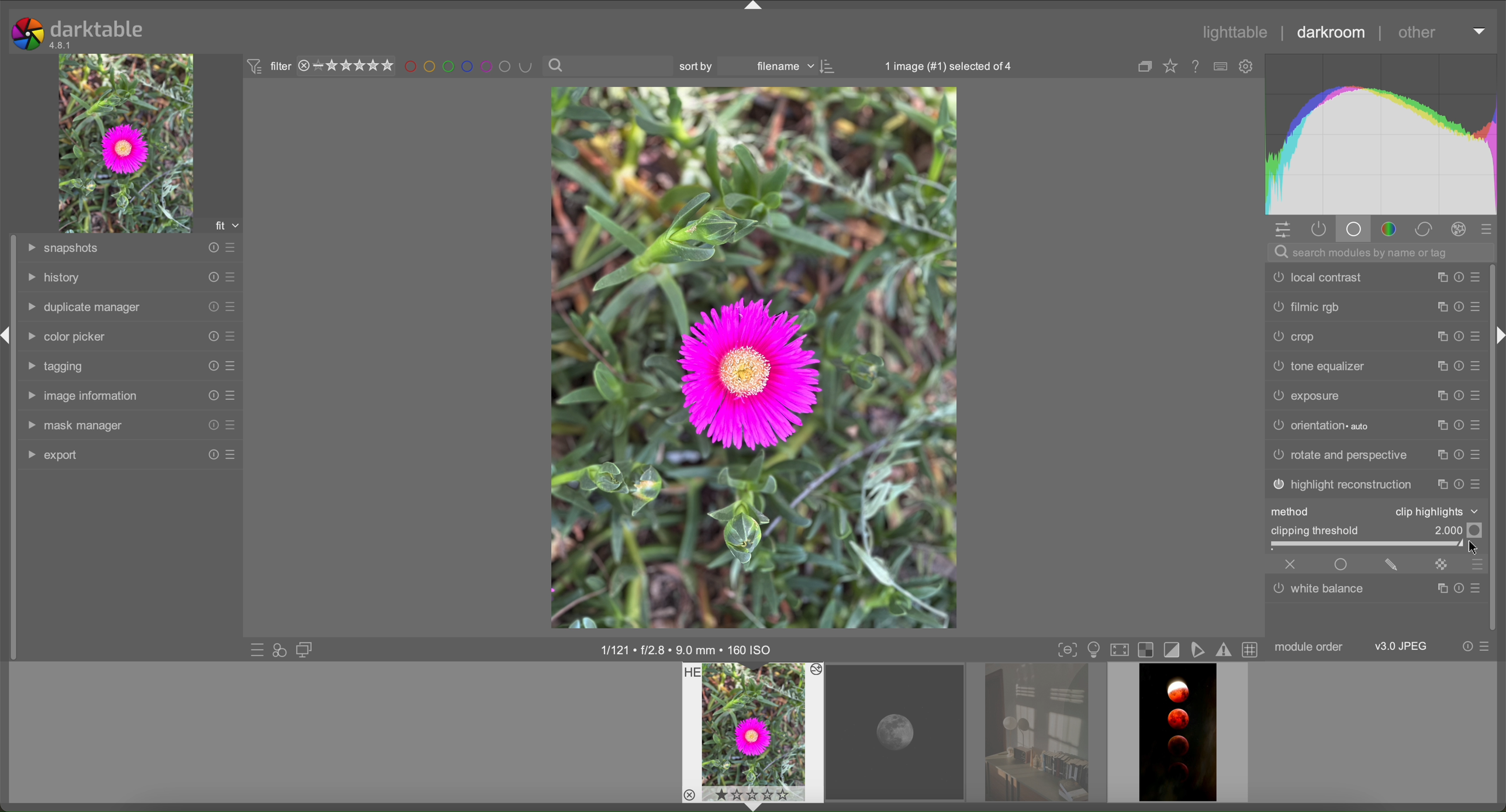 The image size is (1506, 812). Describe the element at coordinates (1441, 589) in the screenshot. I see `copy` at that location.